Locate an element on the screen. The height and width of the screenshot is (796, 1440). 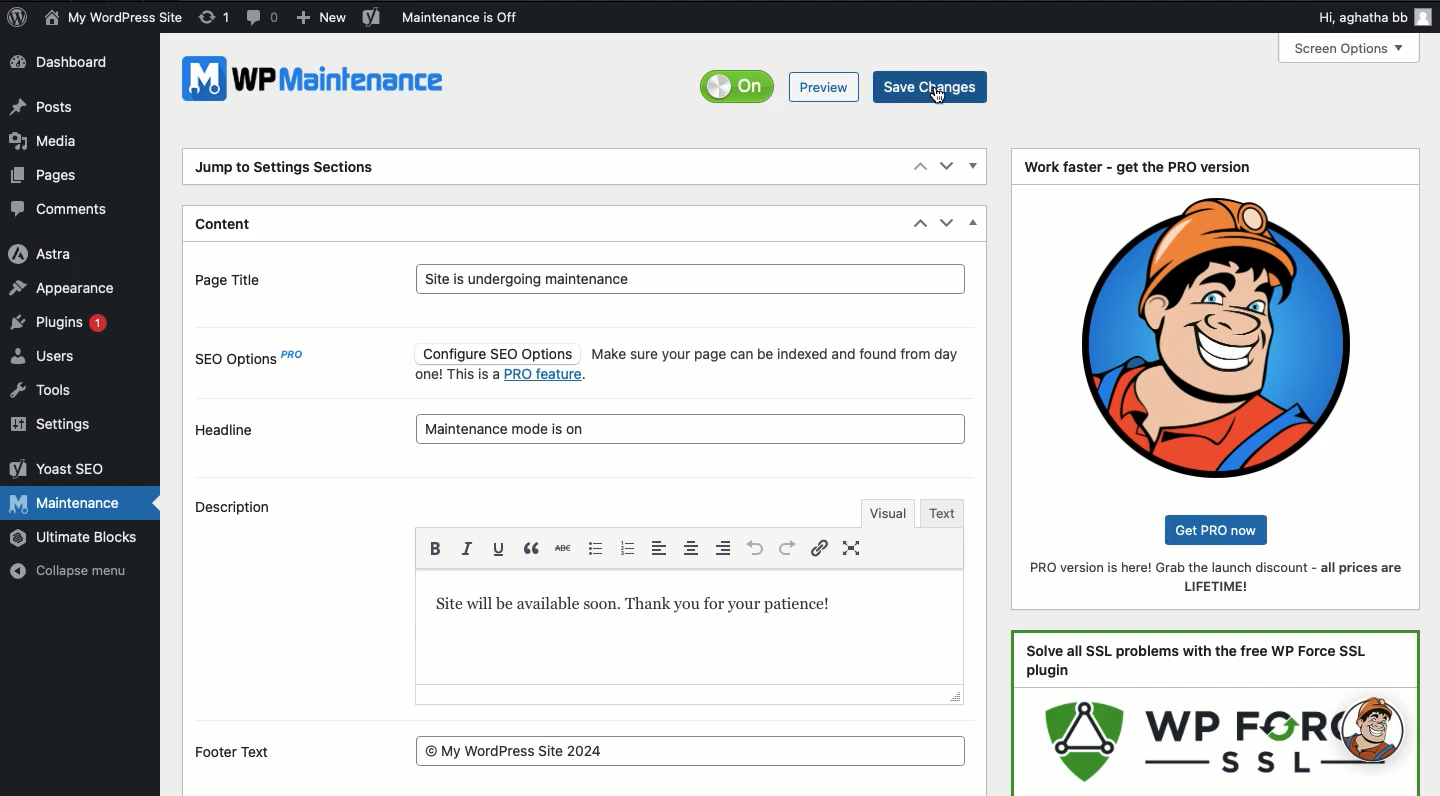
Yoast is located at coordinates (58, 469).